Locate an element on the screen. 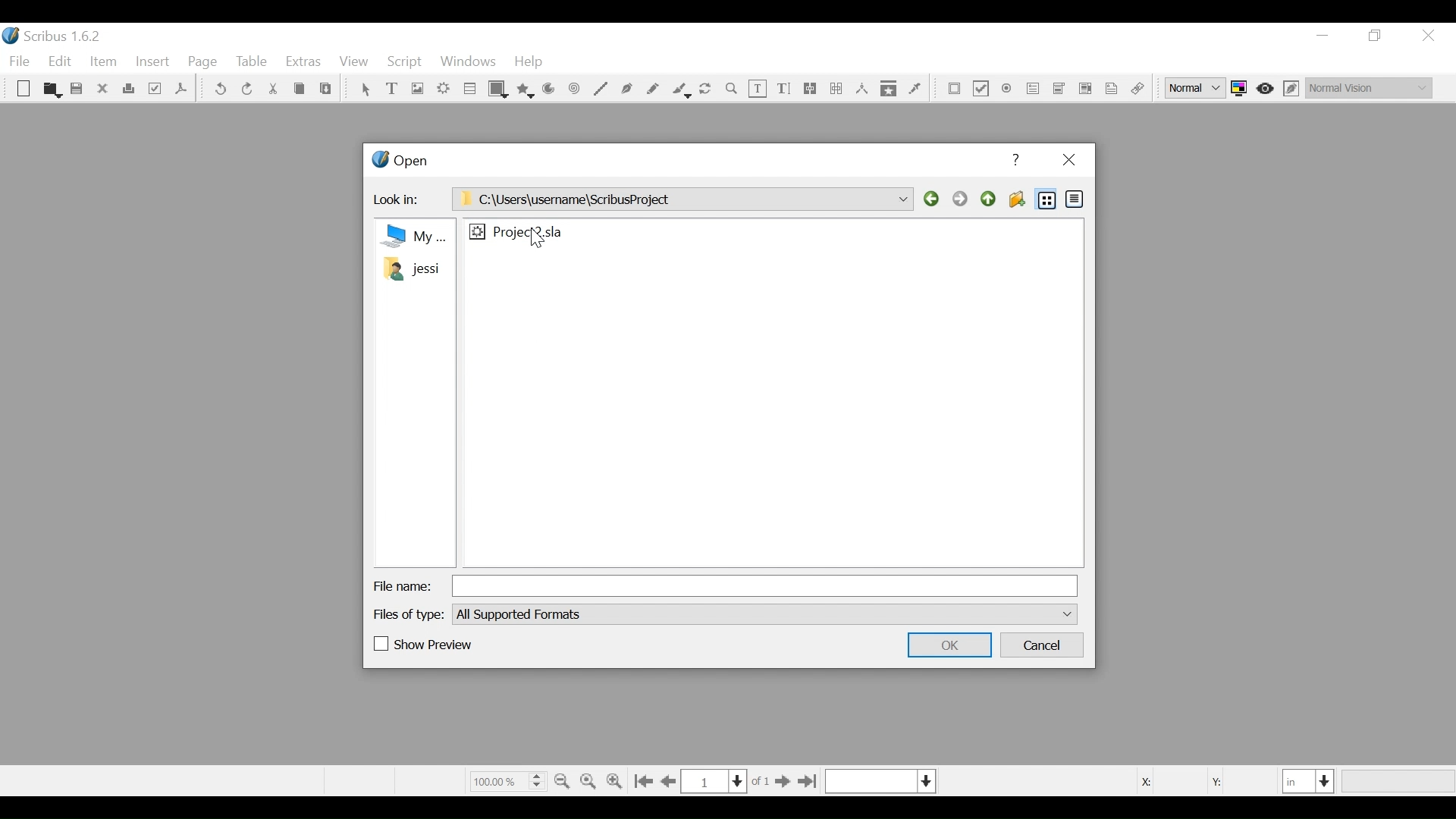  Open is located at coordinates (399, 162).